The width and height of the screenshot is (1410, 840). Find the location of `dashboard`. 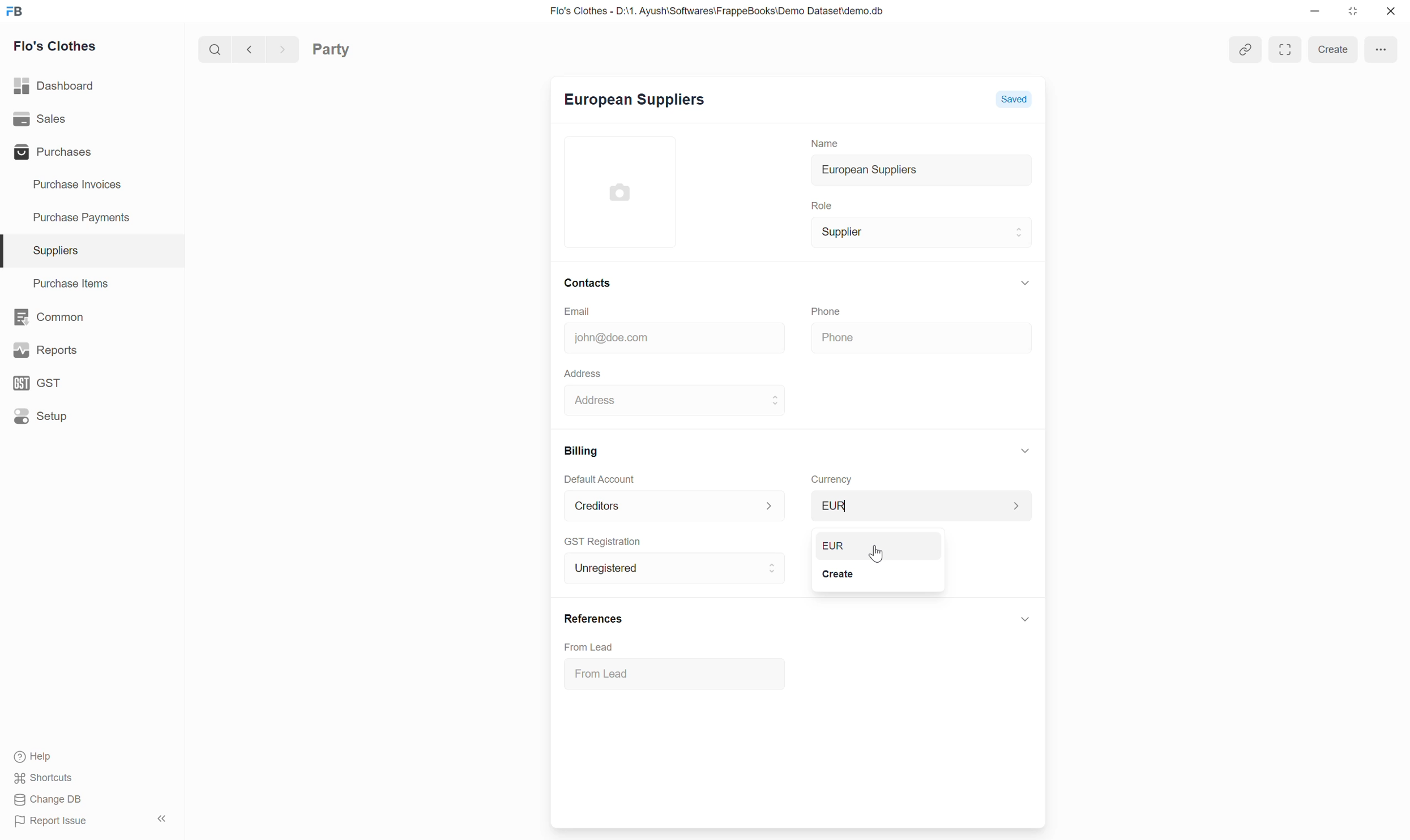

dashboard is located at coordinates (55, 87).